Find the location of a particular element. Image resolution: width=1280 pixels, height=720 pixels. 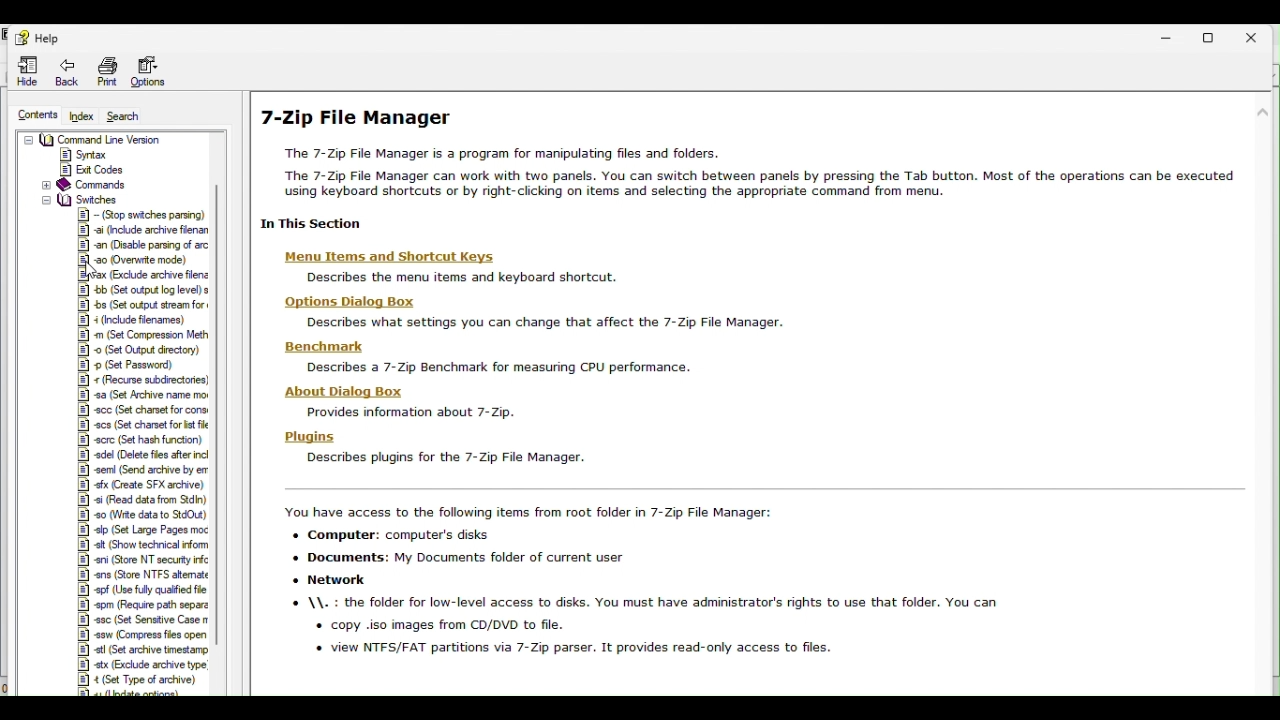

Help is located at coordinates (46, 38).